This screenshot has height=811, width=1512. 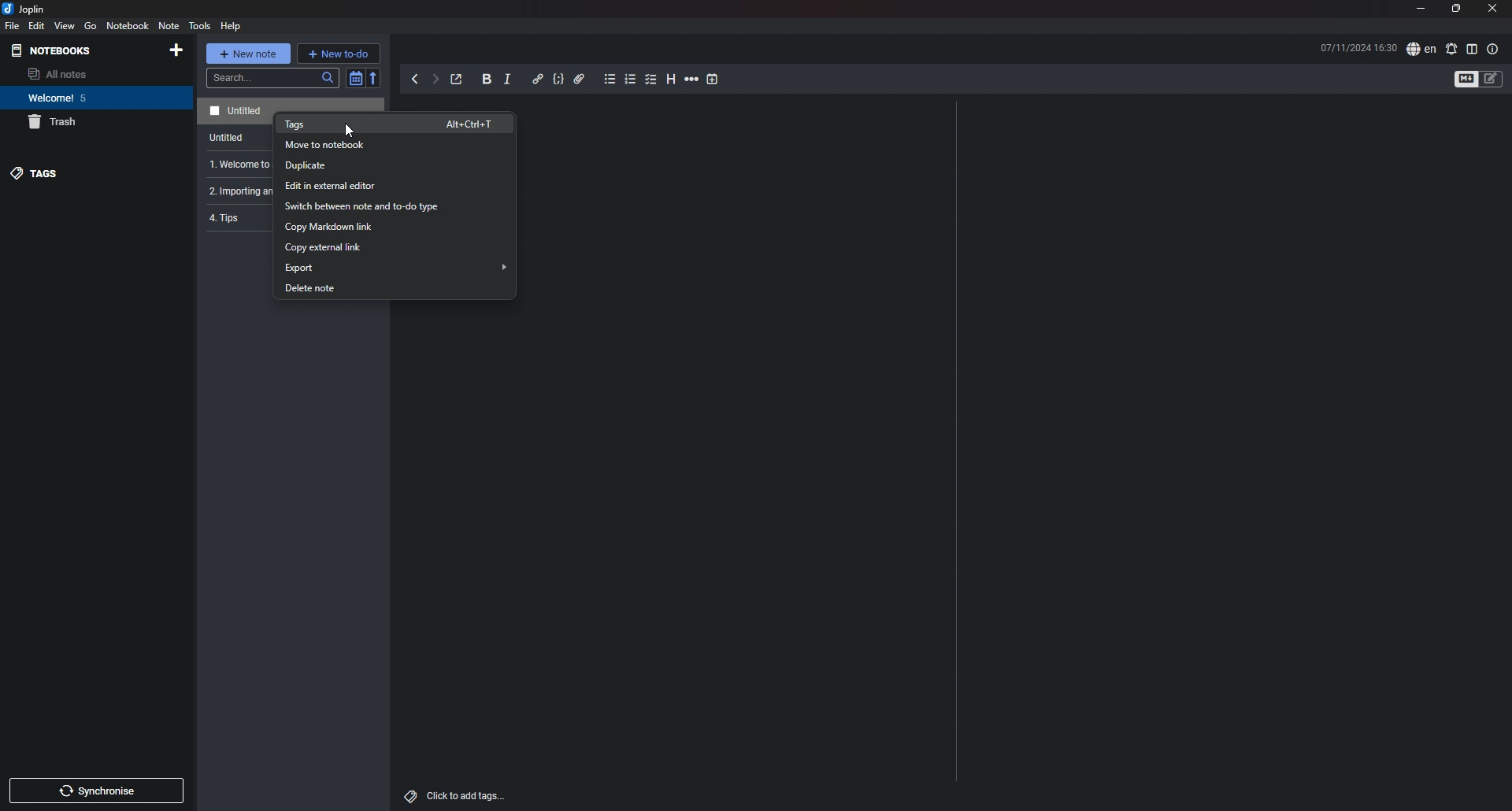 I want to click on tags, so click(x=391, y=123).